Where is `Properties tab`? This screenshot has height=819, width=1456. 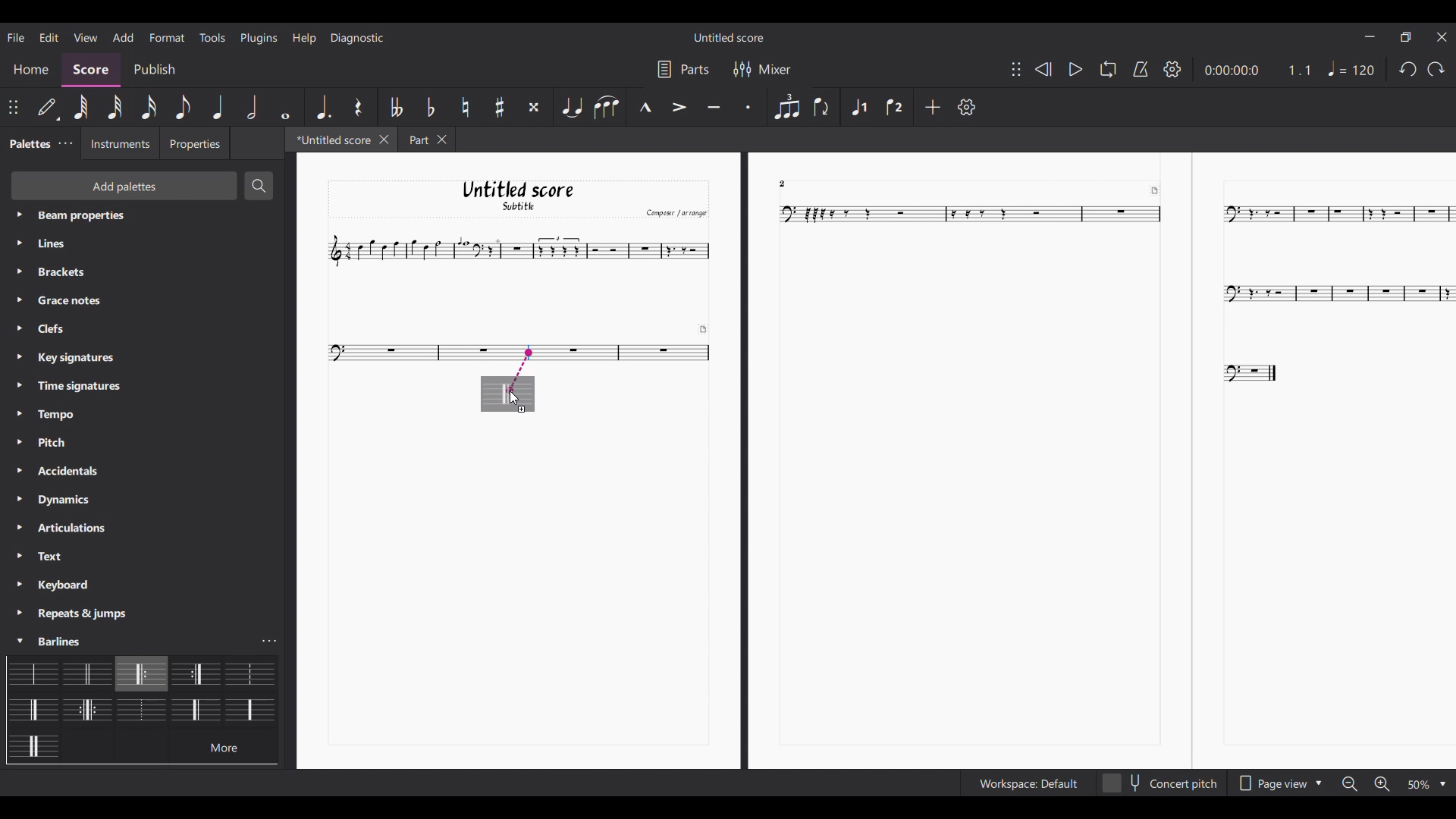 Properties tab is located at coordinates (195, 143).